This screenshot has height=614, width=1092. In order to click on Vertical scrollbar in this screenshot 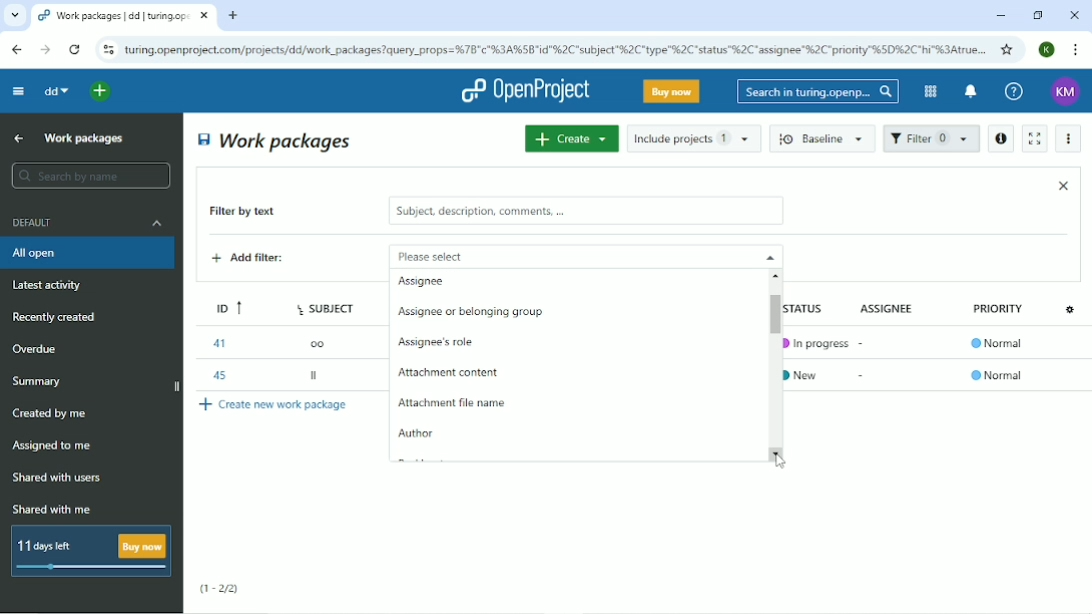, I will do `click(769, 310)`.